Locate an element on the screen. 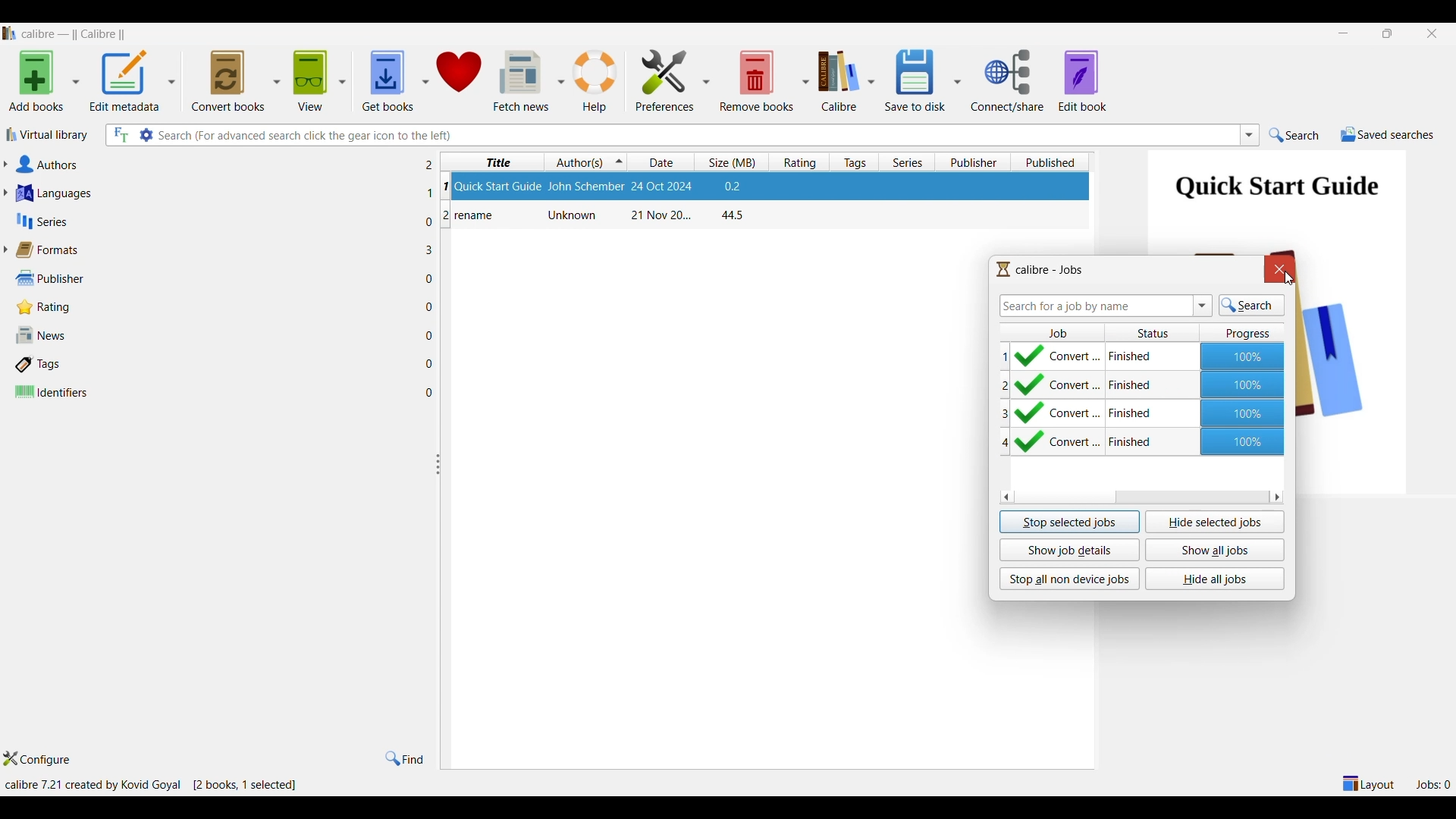  Stop selected jobs is located at coordinates (1071, 522).